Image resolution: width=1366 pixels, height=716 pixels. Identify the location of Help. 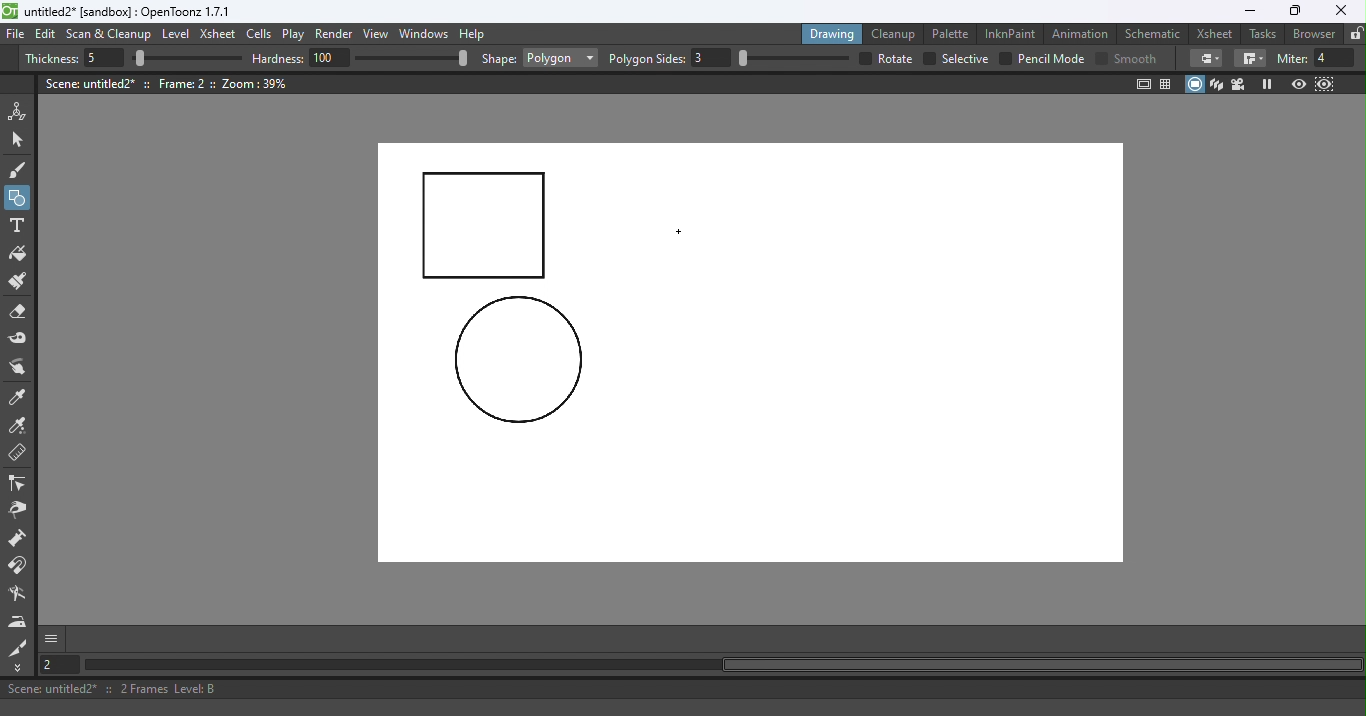
(475, 33).